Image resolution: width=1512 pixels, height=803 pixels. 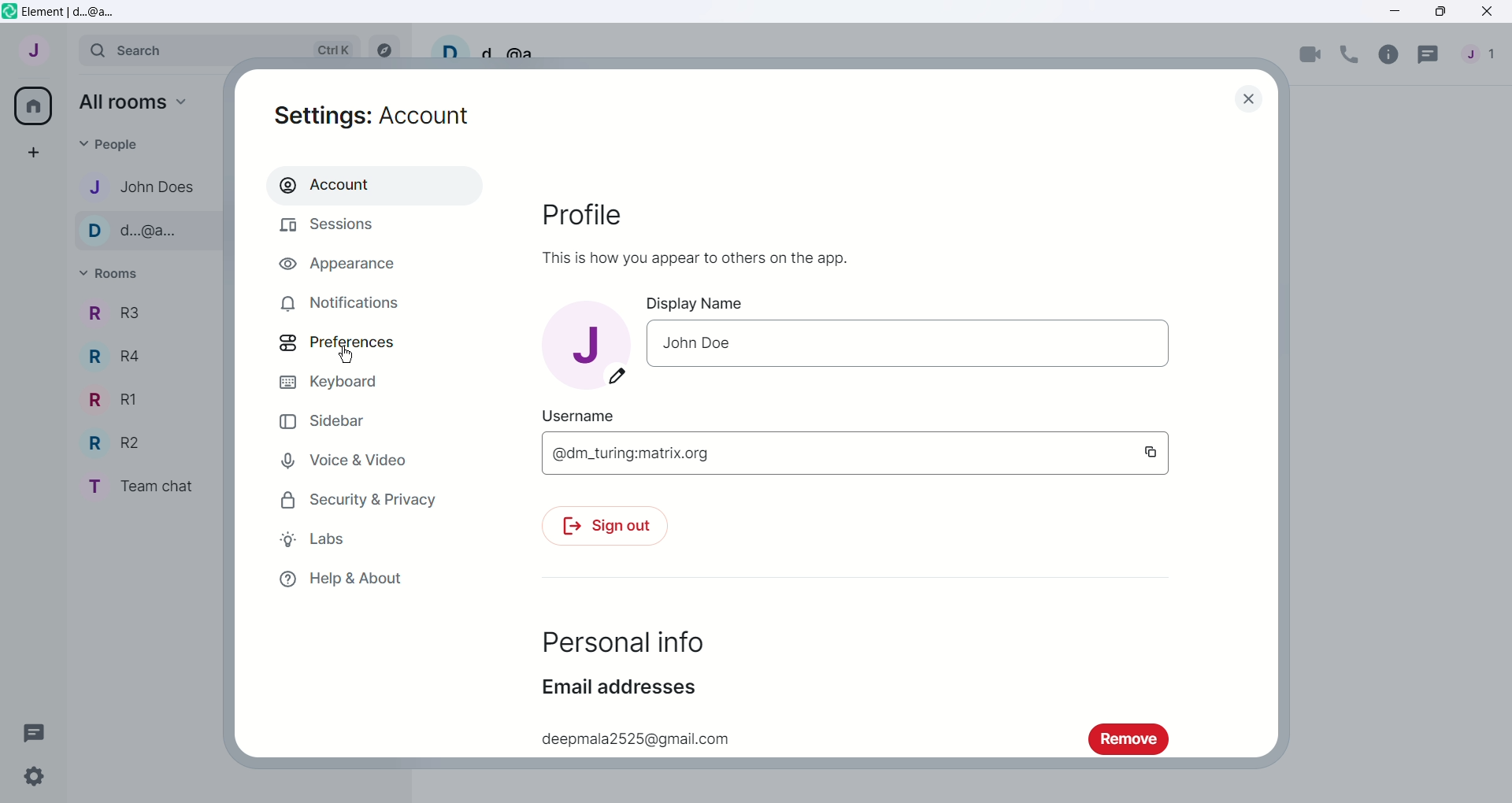 I want to click on Minimize, so click(x=1396, y=10).